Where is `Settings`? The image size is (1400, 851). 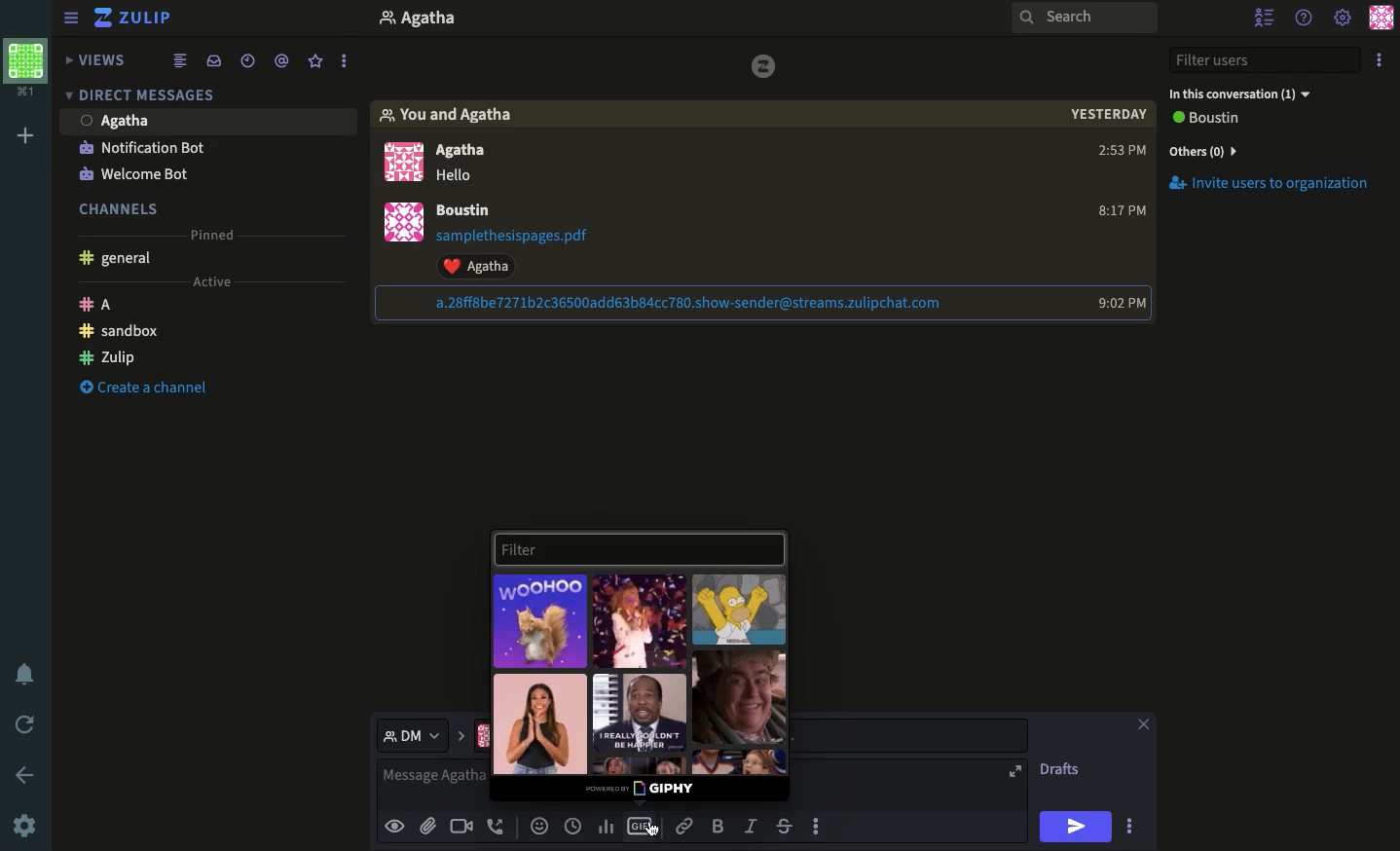
Settings is located at coordinates (25, 825).